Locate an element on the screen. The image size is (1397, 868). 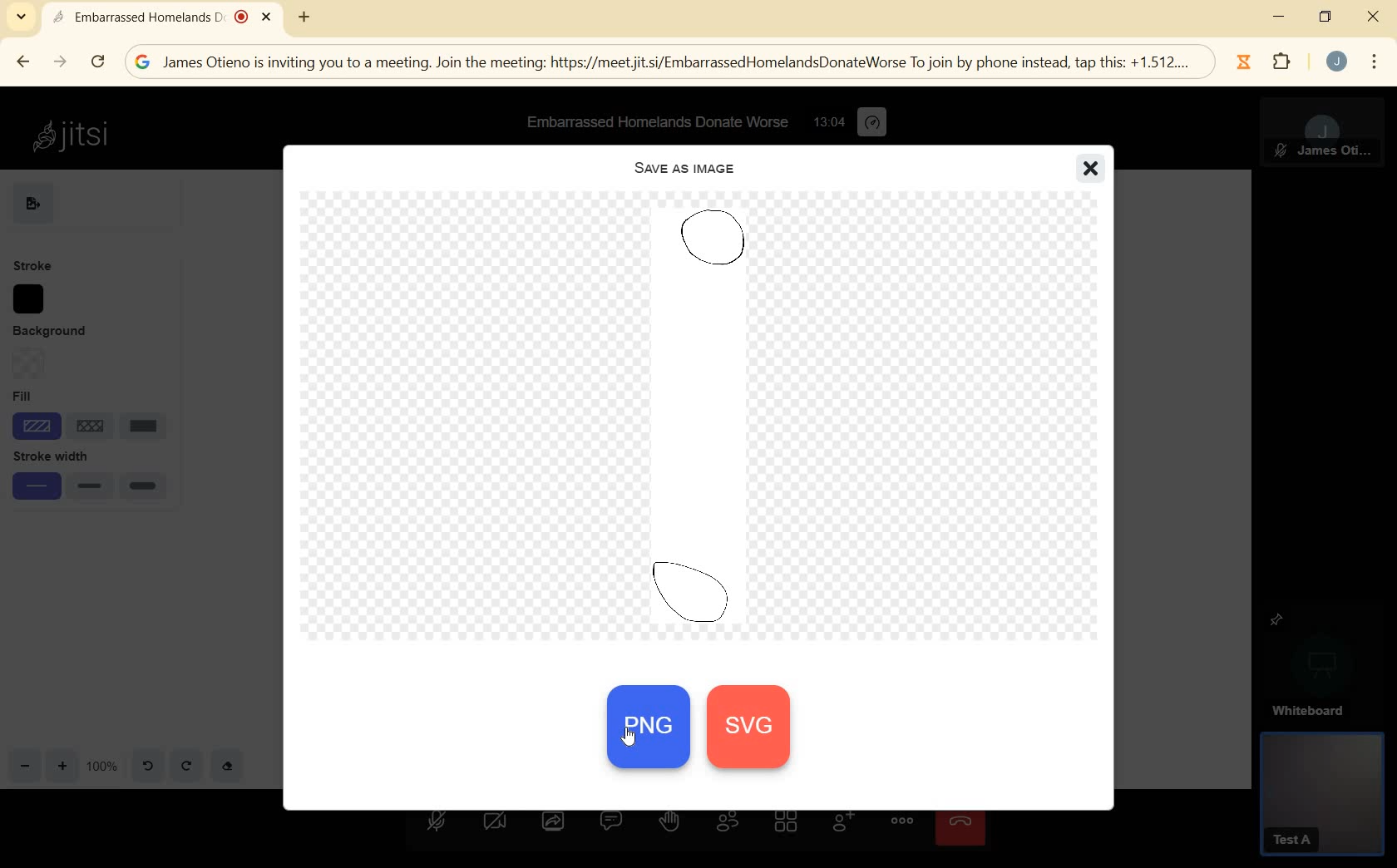
Embarrassed Homelands Donate Worse is located at coordinates (659, 122).